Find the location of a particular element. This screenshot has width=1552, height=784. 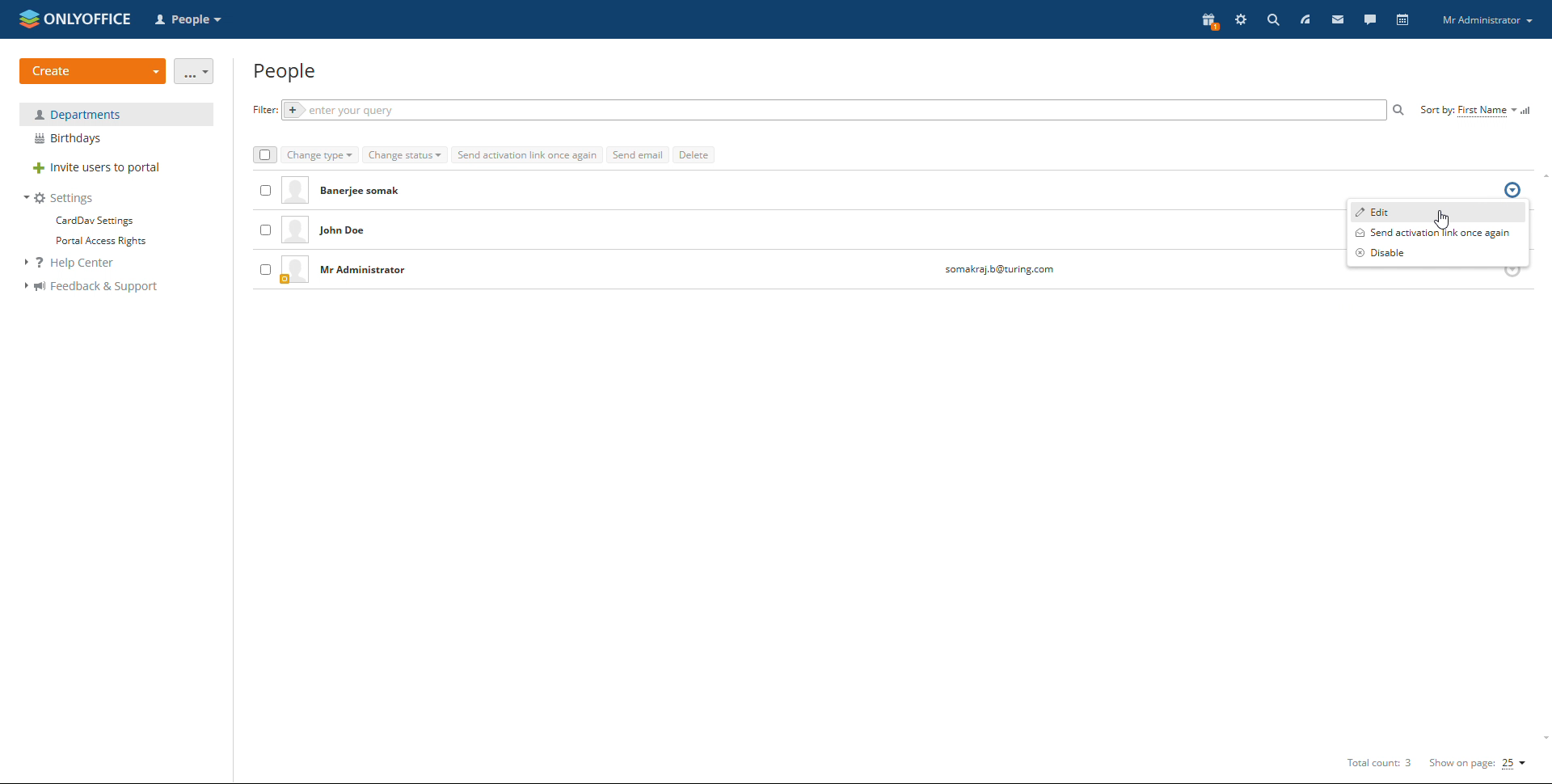

create is located at coordinates (93, 71).